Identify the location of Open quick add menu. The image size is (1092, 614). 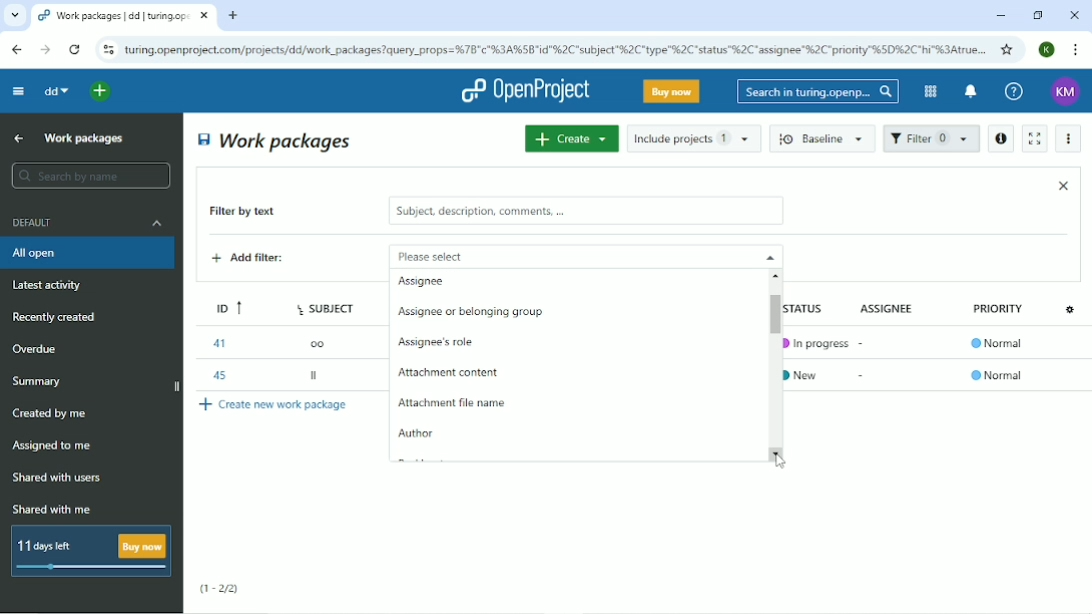
(101, 91).